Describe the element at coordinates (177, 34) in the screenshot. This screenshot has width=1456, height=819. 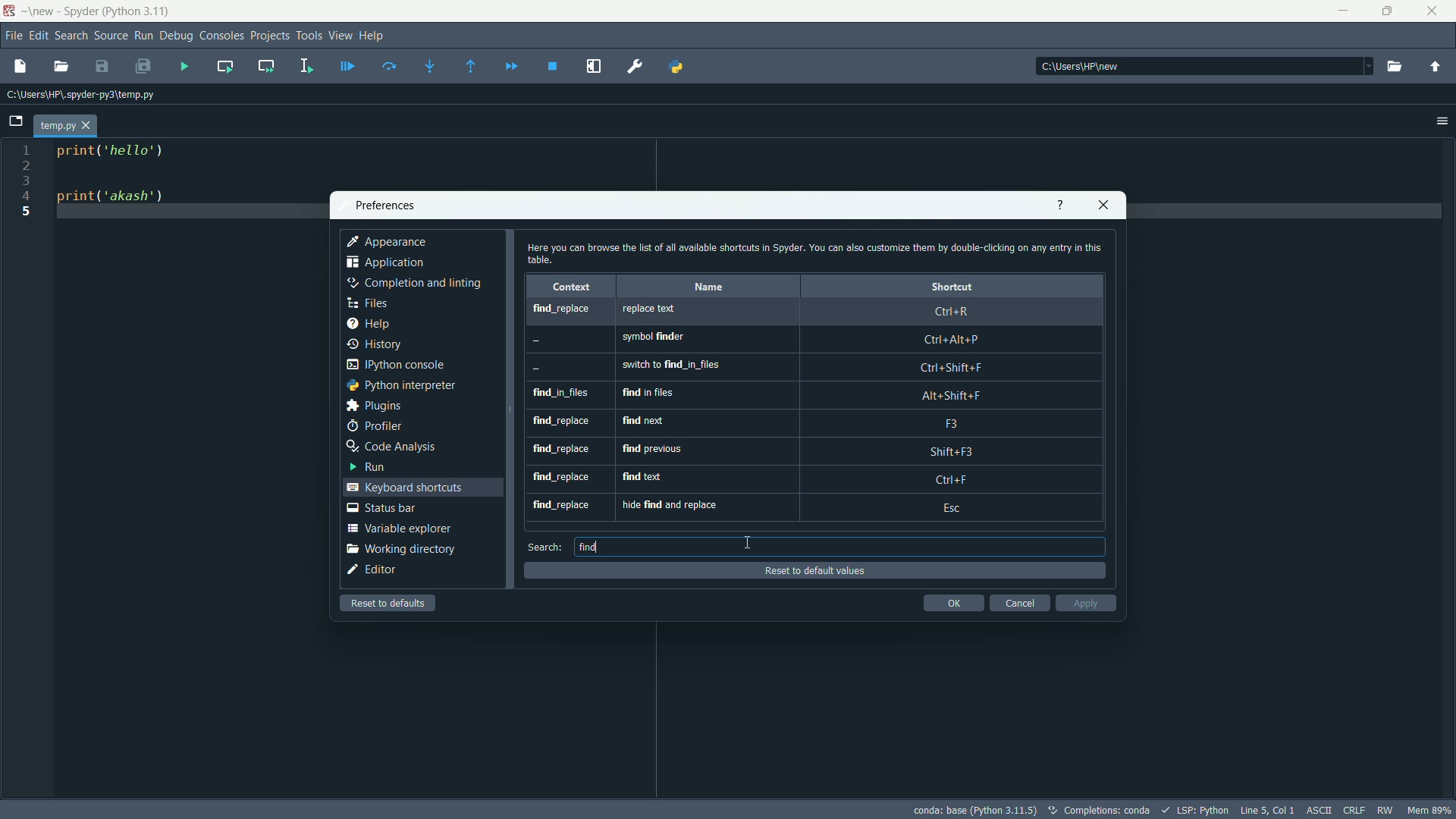
I see `debug menu` at that location.